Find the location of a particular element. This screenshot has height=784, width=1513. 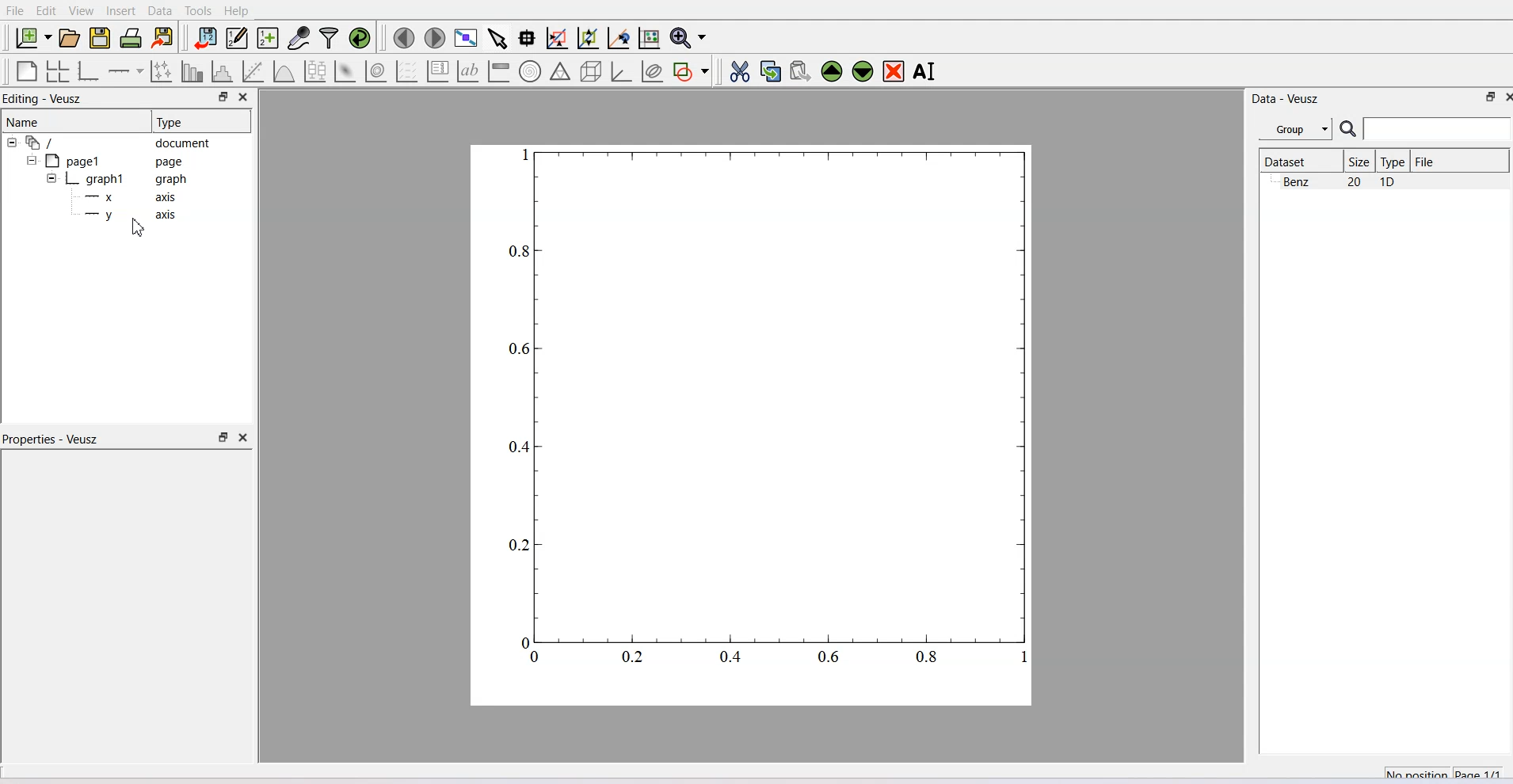

View plot full screen is located at coordinates (467, 39).